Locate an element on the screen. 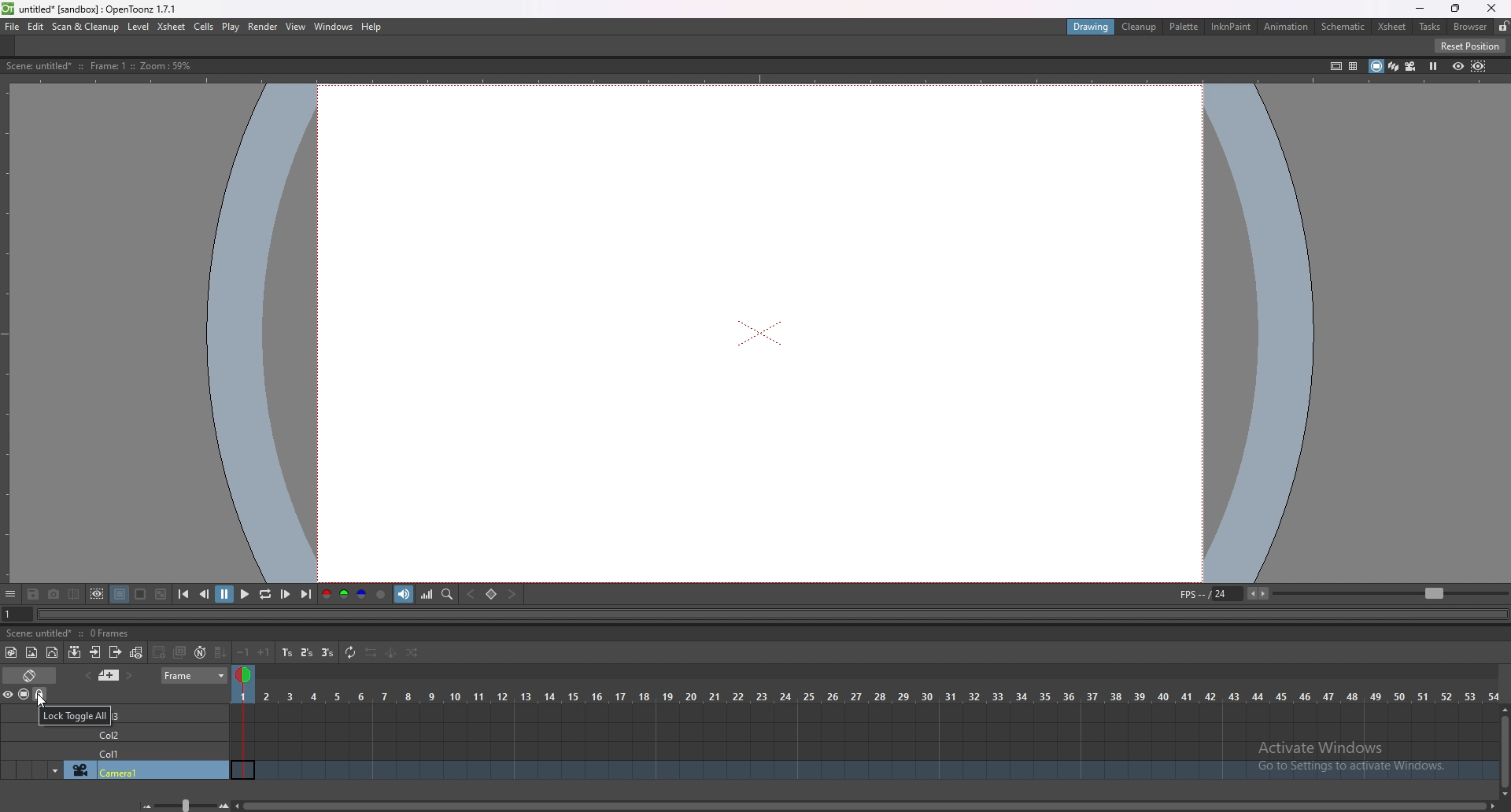  next frame is located at coordinates (285, 594).